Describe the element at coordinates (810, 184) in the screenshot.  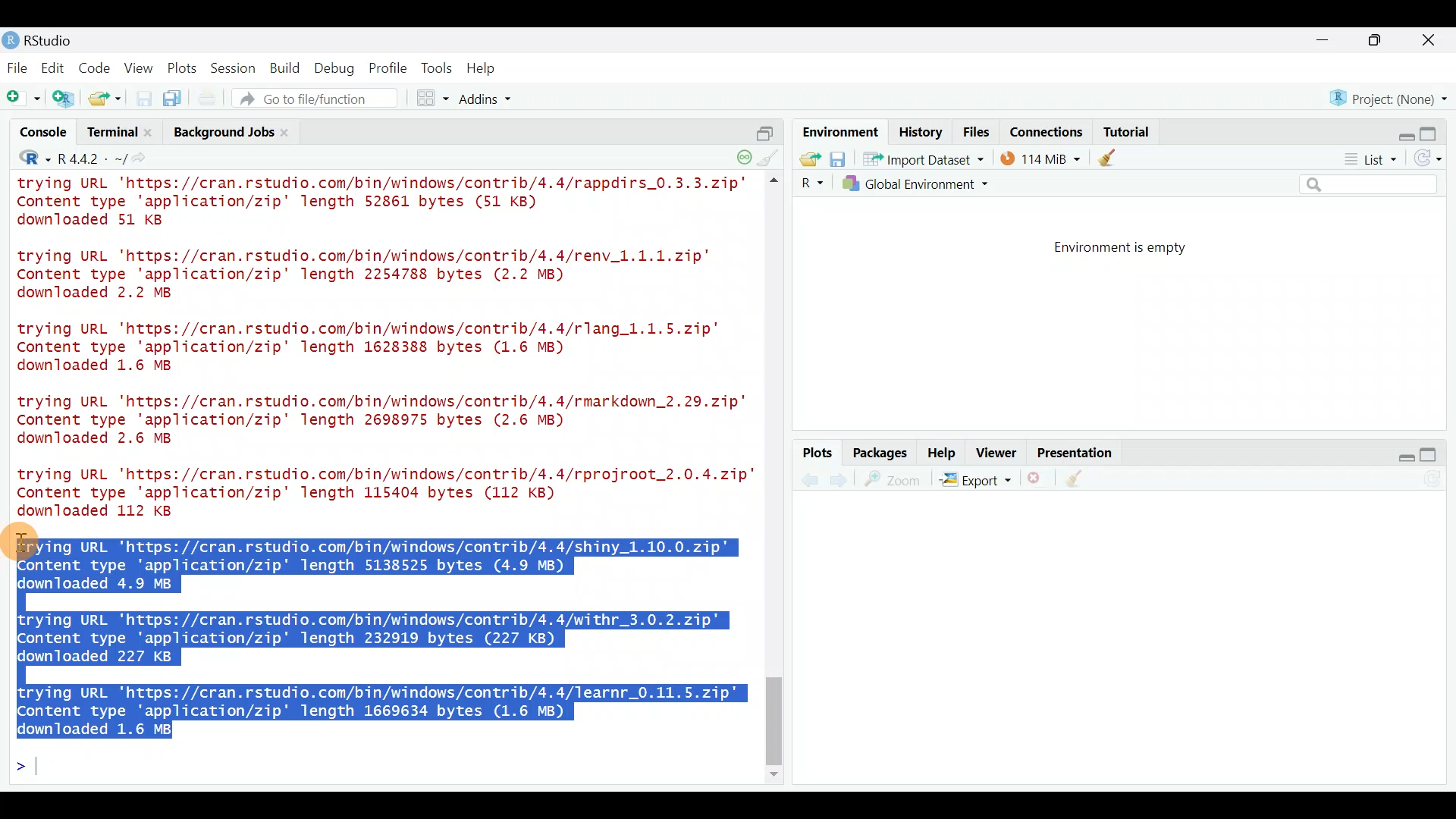
I see `R` at that location.